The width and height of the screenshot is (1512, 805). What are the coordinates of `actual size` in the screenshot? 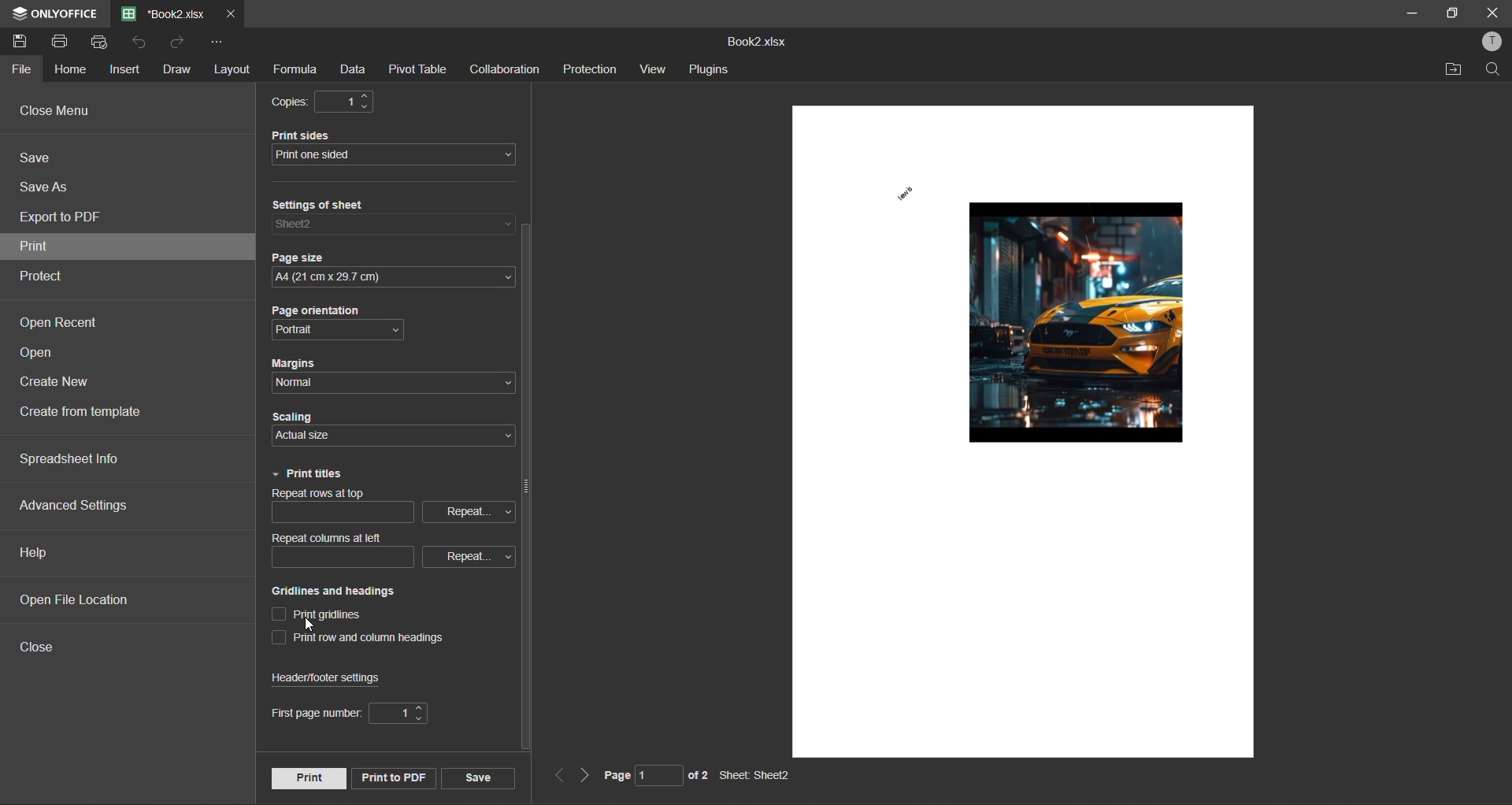 It's located at (310, 438).